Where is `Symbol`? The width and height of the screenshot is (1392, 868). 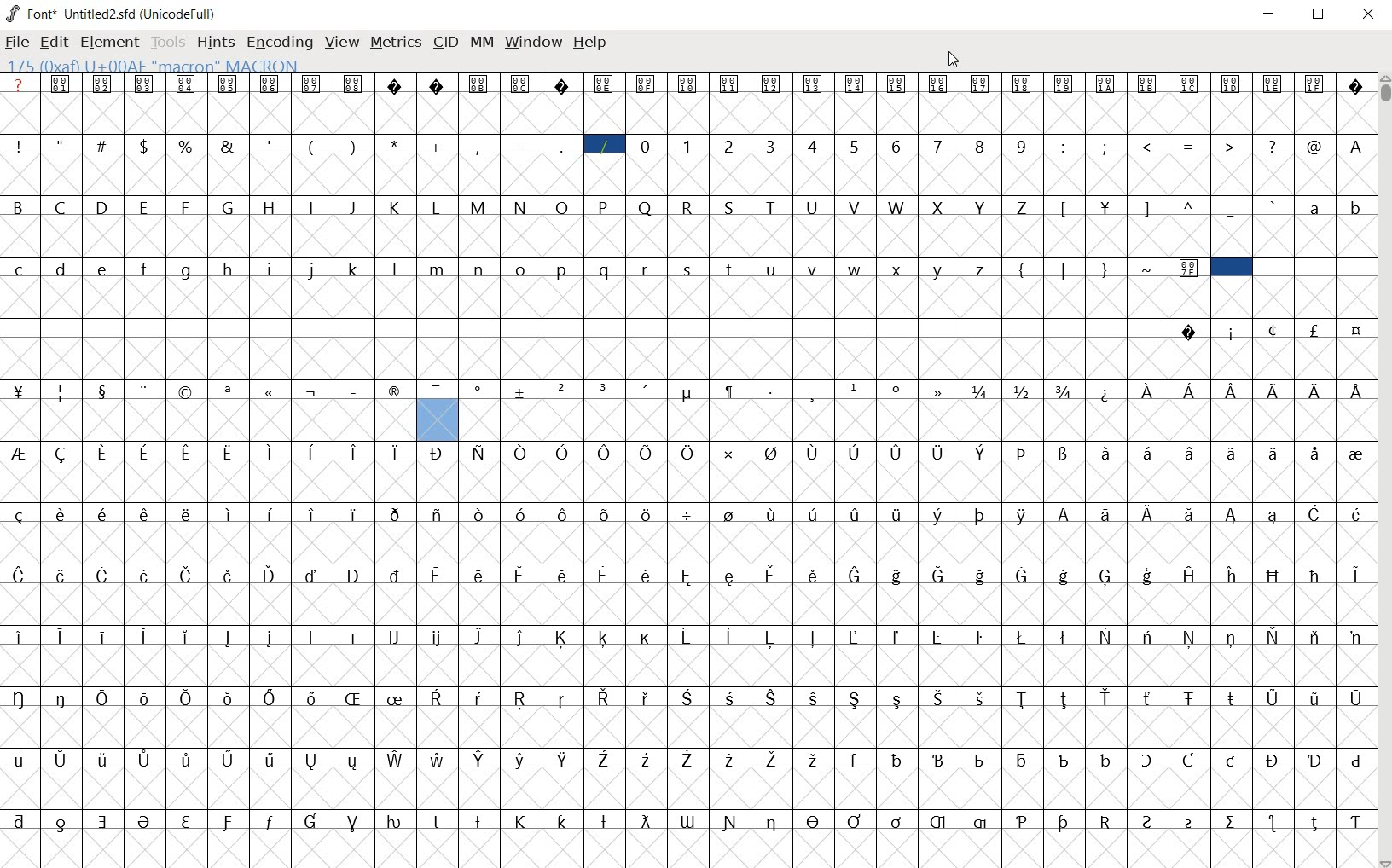
Symbol is located at coordinates (188, 391).